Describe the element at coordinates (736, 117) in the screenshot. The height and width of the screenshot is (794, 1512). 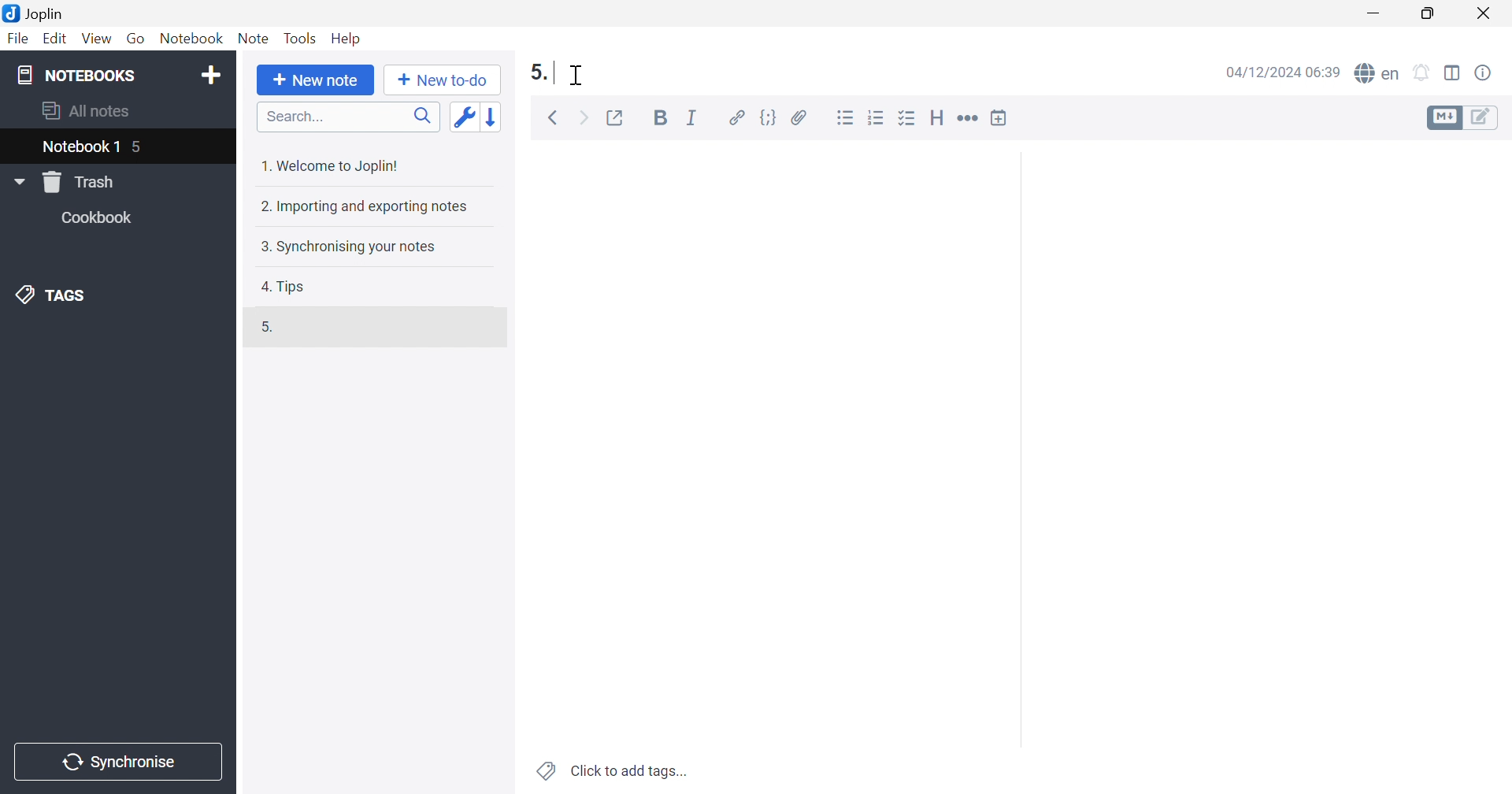
I see `Hyperlink` at that location.